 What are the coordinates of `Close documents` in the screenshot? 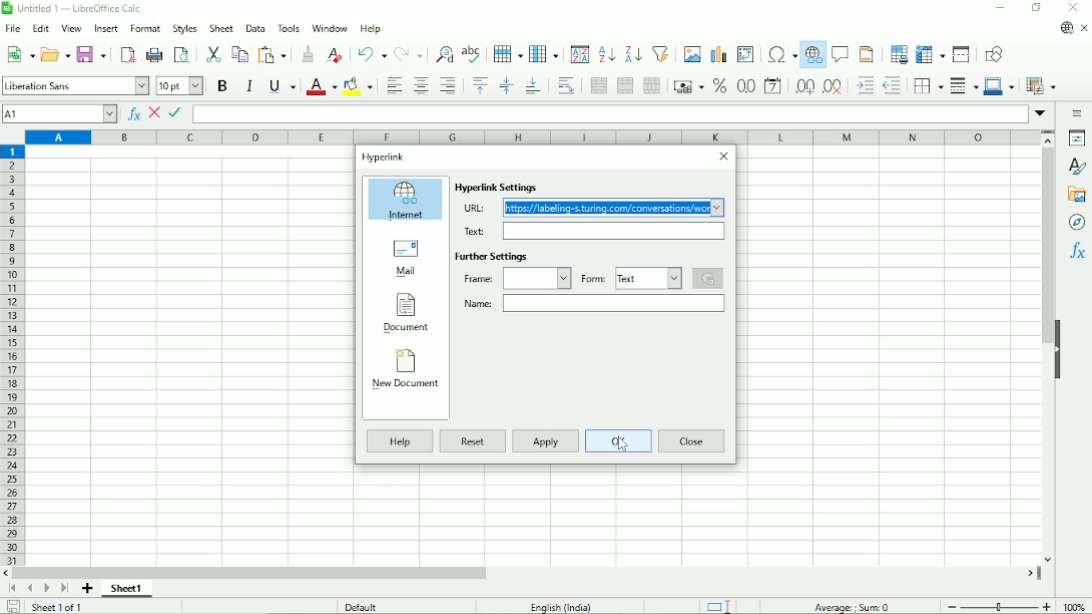 It's located at (1084, 29).